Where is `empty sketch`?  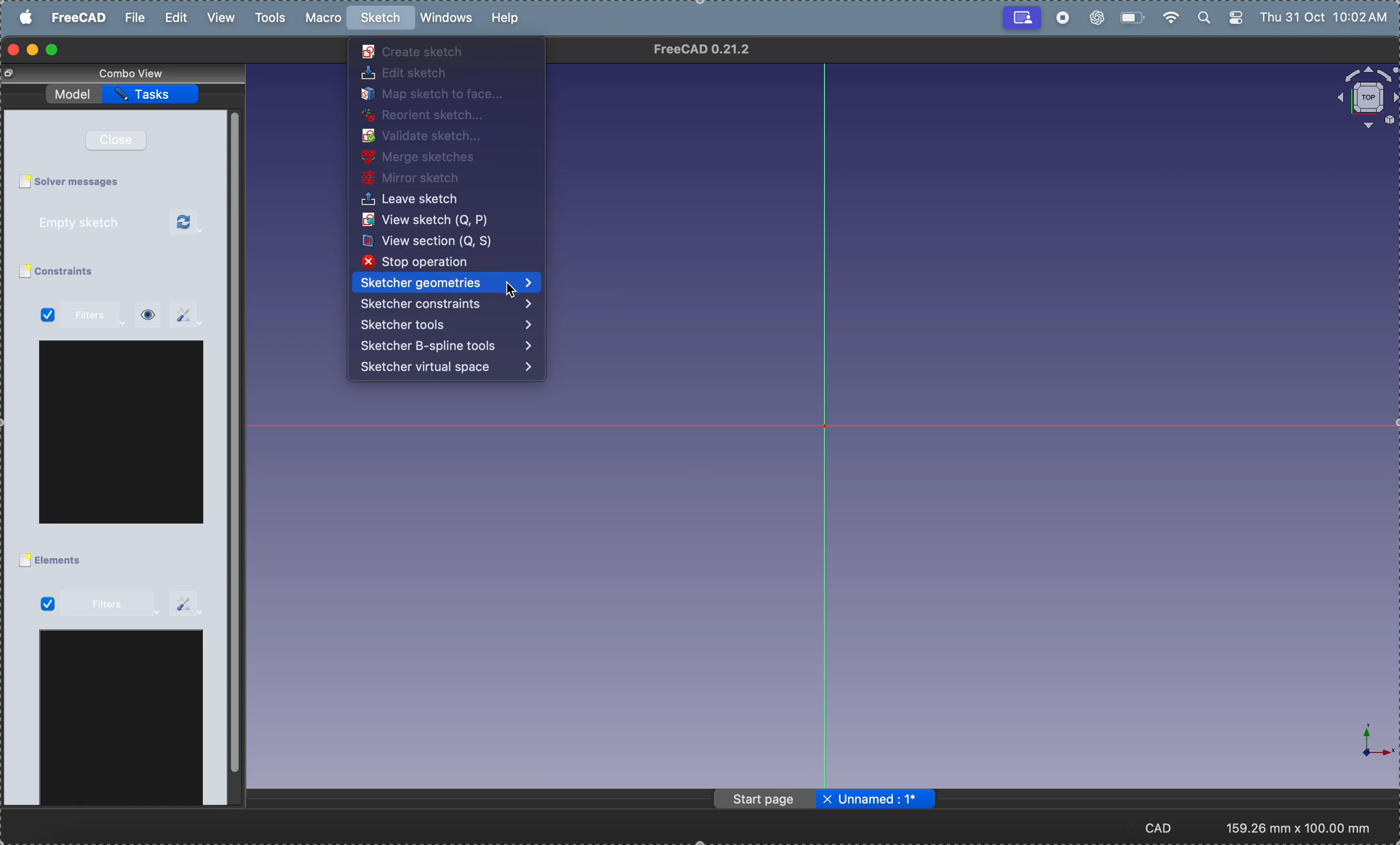
empty sketch is located at coordinates (93, 223).